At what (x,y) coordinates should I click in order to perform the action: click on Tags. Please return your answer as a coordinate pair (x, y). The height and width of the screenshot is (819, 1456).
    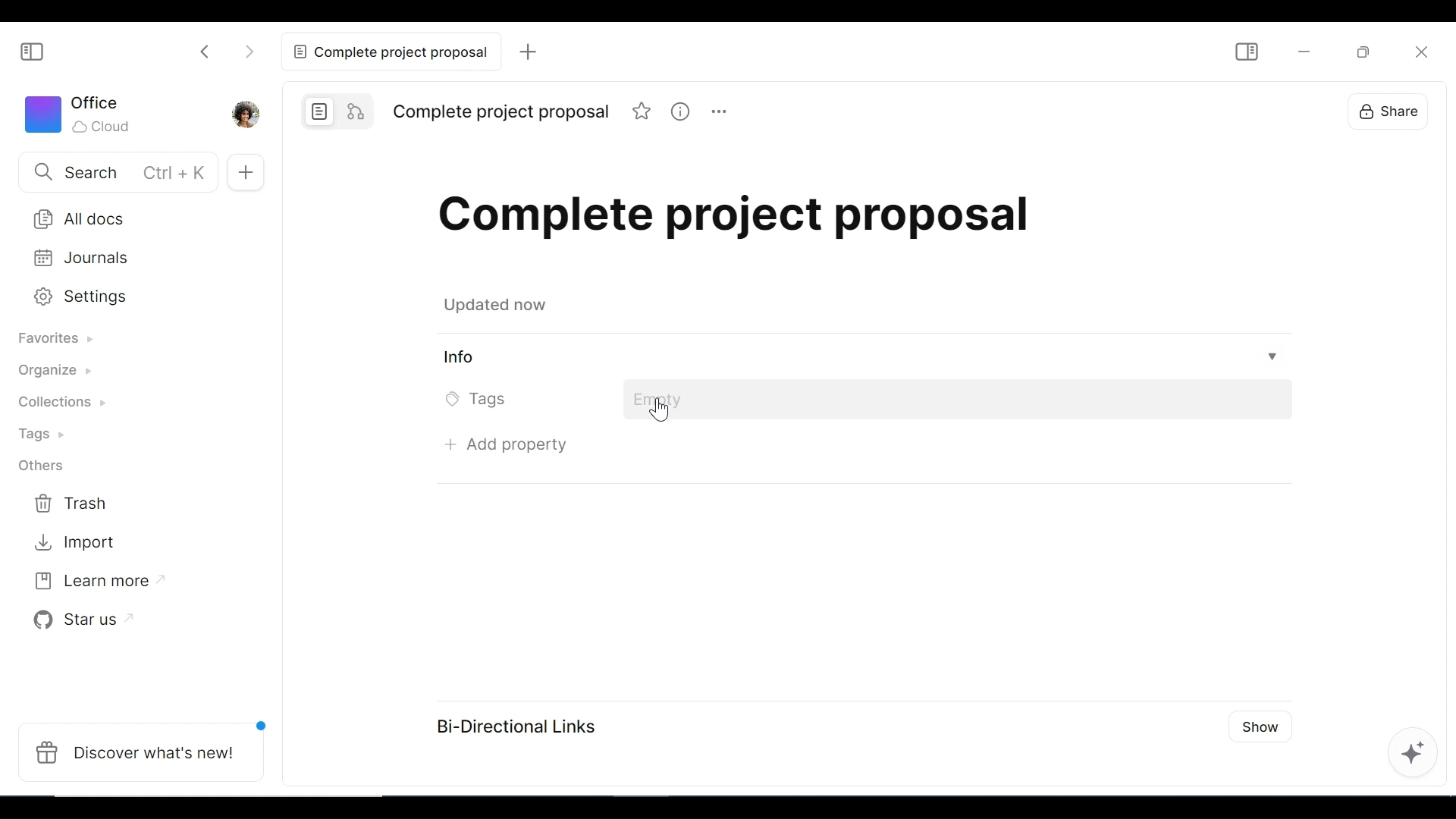
    Looking at the image, I should click on (49, 436).